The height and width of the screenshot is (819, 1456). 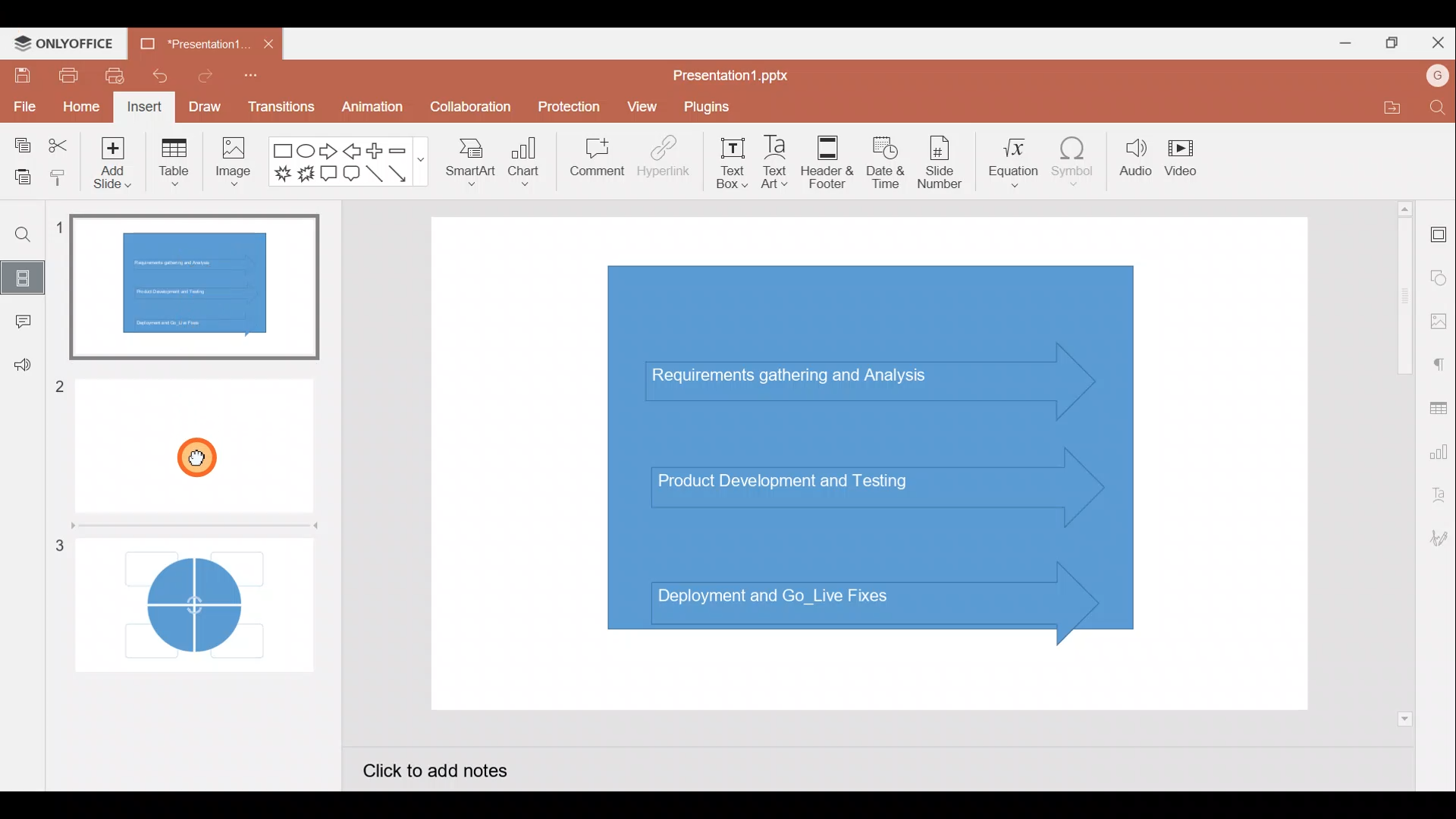 What do you see at coordinates (351, 176) in the screenshot?
I see `Rounded Rectangular callout` at bounding box center [351, 176].